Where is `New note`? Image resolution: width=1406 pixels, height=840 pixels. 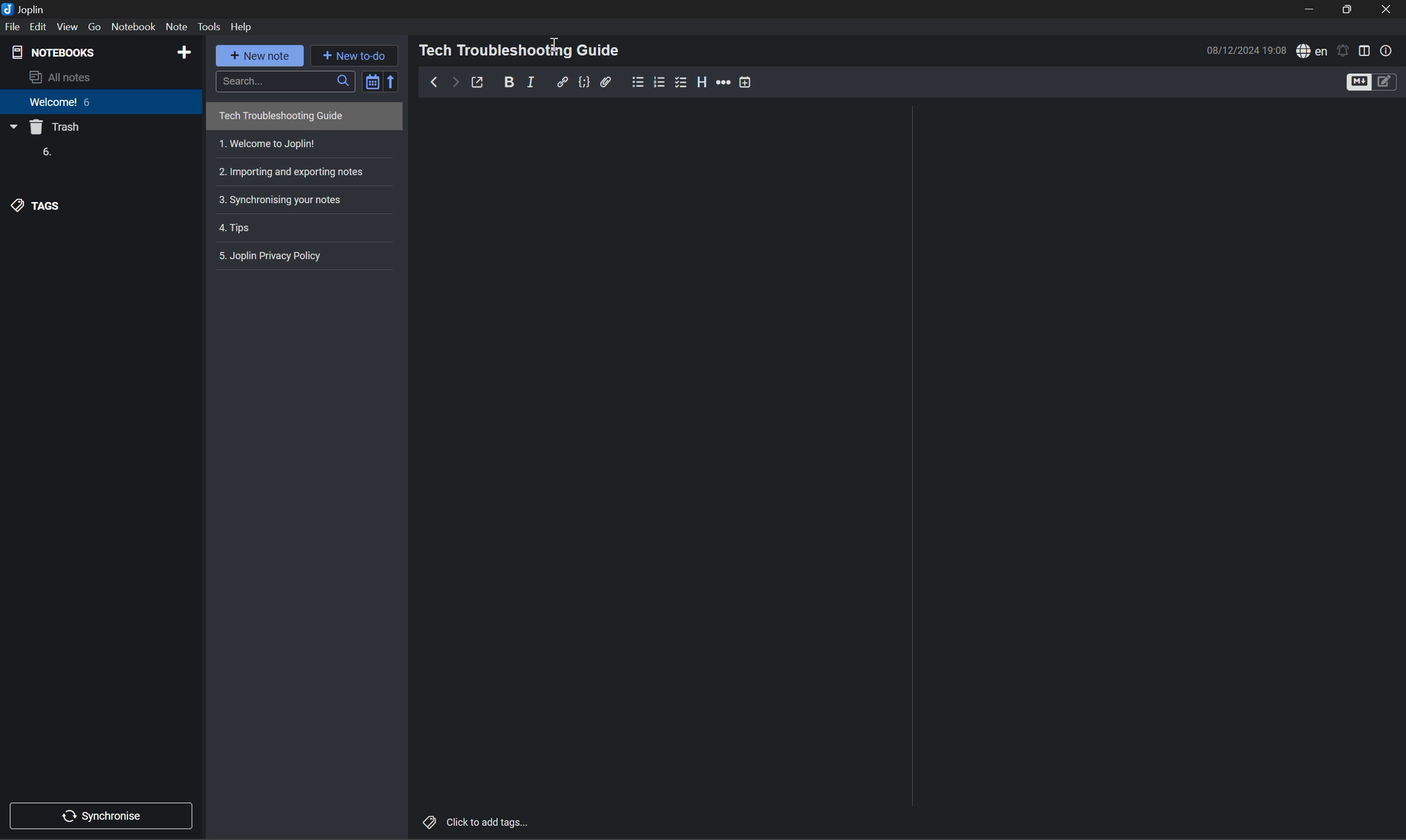
New note is located at coordinates (263, 57).